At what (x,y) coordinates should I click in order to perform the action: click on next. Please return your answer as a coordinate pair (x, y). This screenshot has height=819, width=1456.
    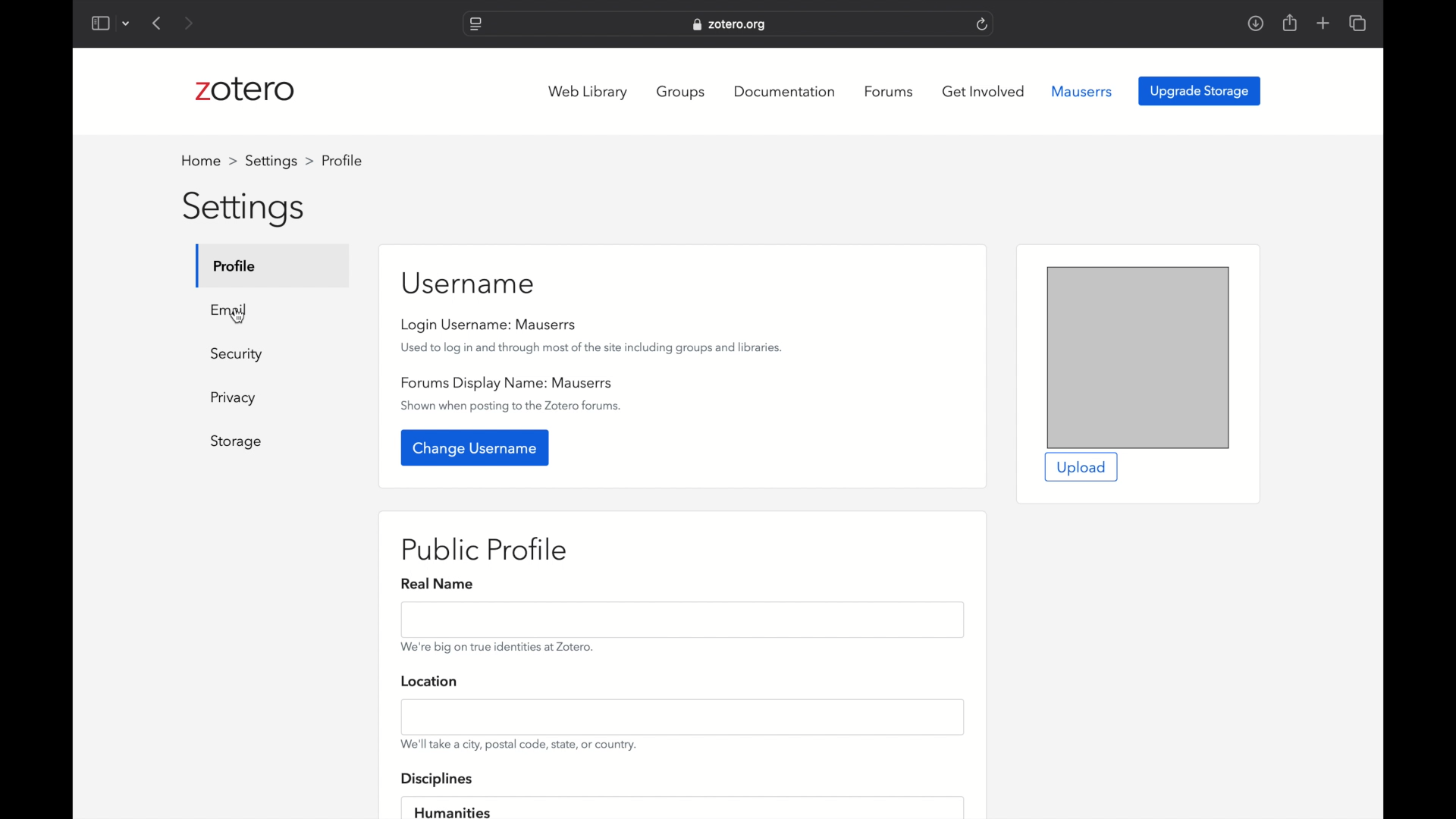
    Looking at the image, I should click on (188, 23).